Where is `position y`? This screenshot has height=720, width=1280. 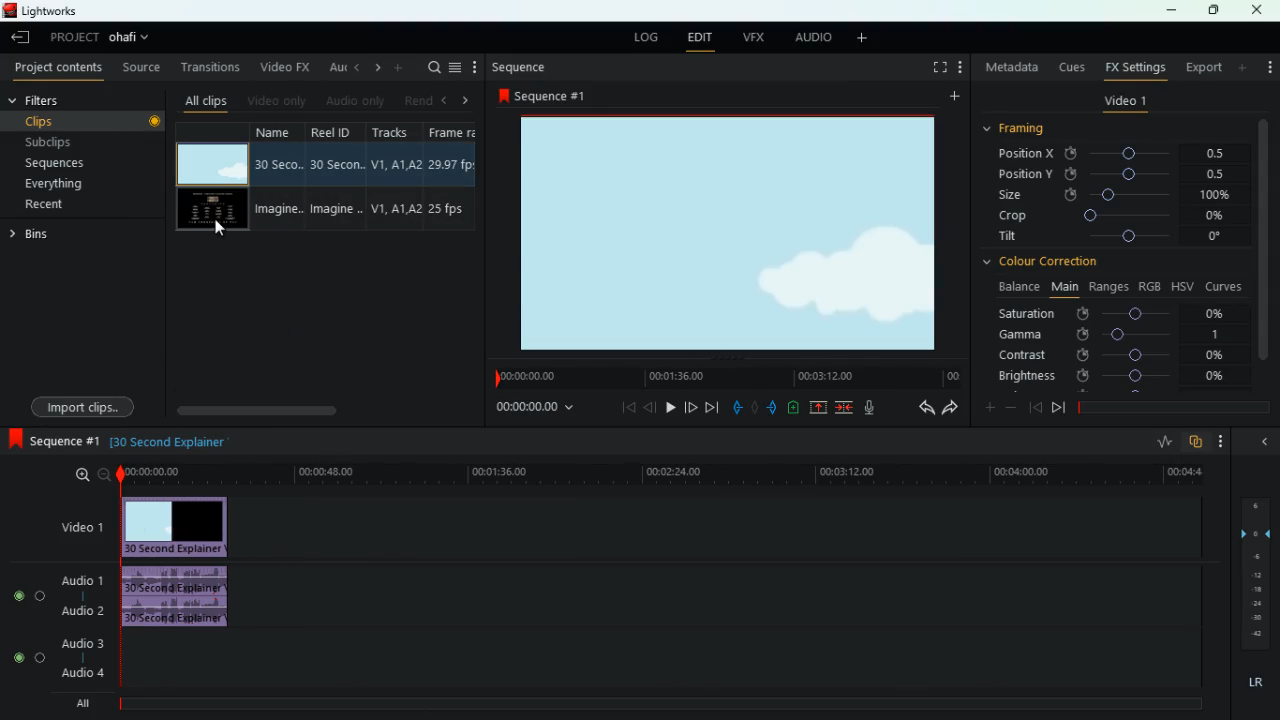 position y is located at coordinates (1121, 173).